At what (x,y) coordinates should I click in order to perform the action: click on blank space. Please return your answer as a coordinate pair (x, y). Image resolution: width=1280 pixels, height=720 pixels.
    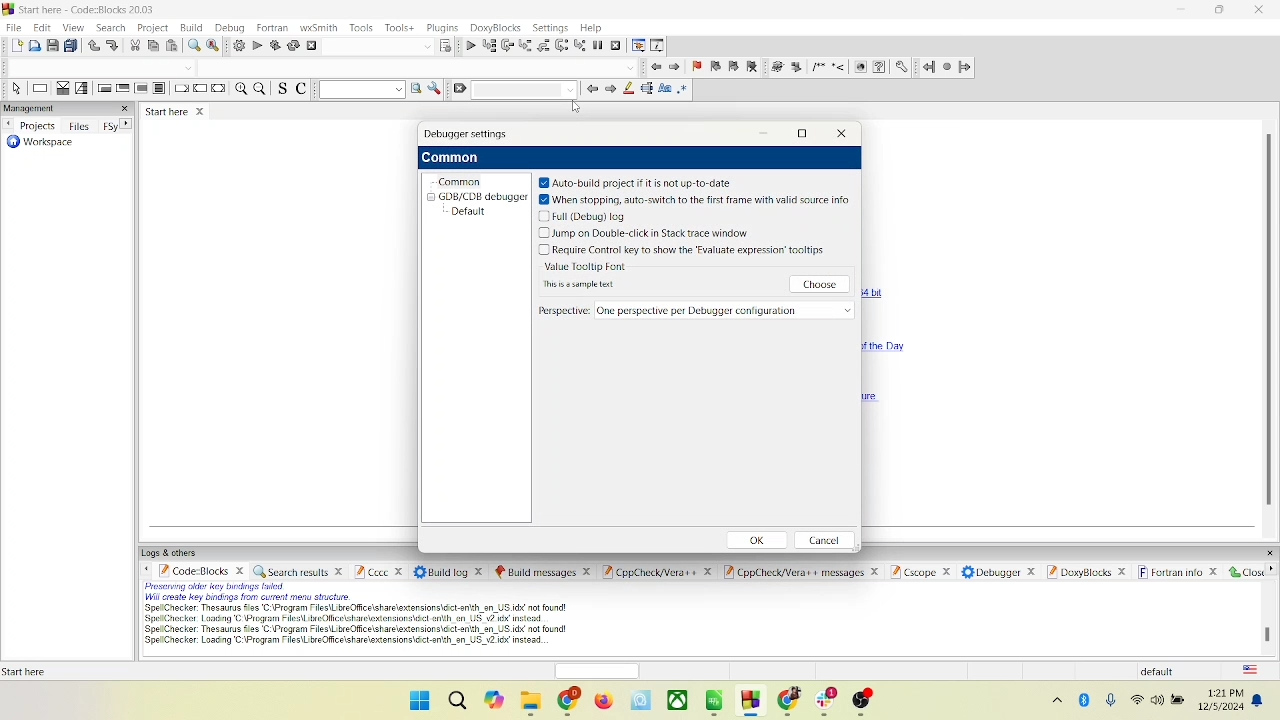
    Looking at the image, I should click on (379, 47).